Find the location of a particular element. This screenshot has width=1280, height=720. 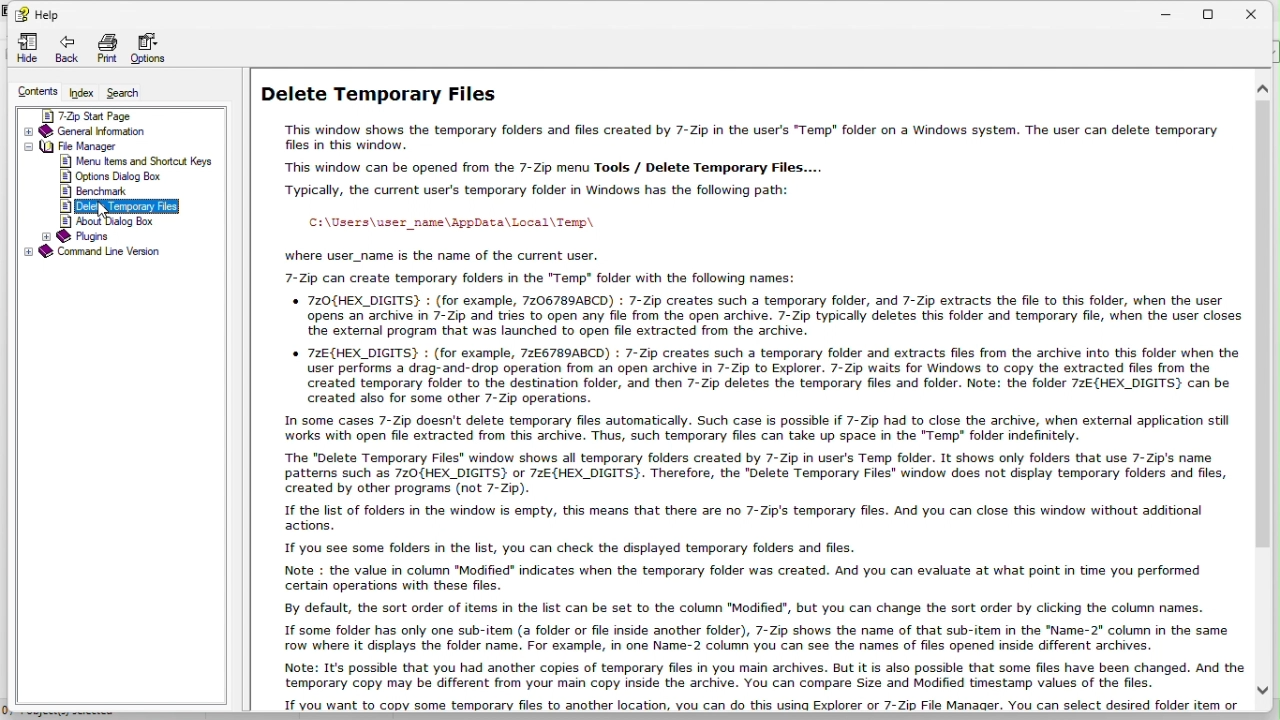

about dialog box is located at coordinates (127, 222).